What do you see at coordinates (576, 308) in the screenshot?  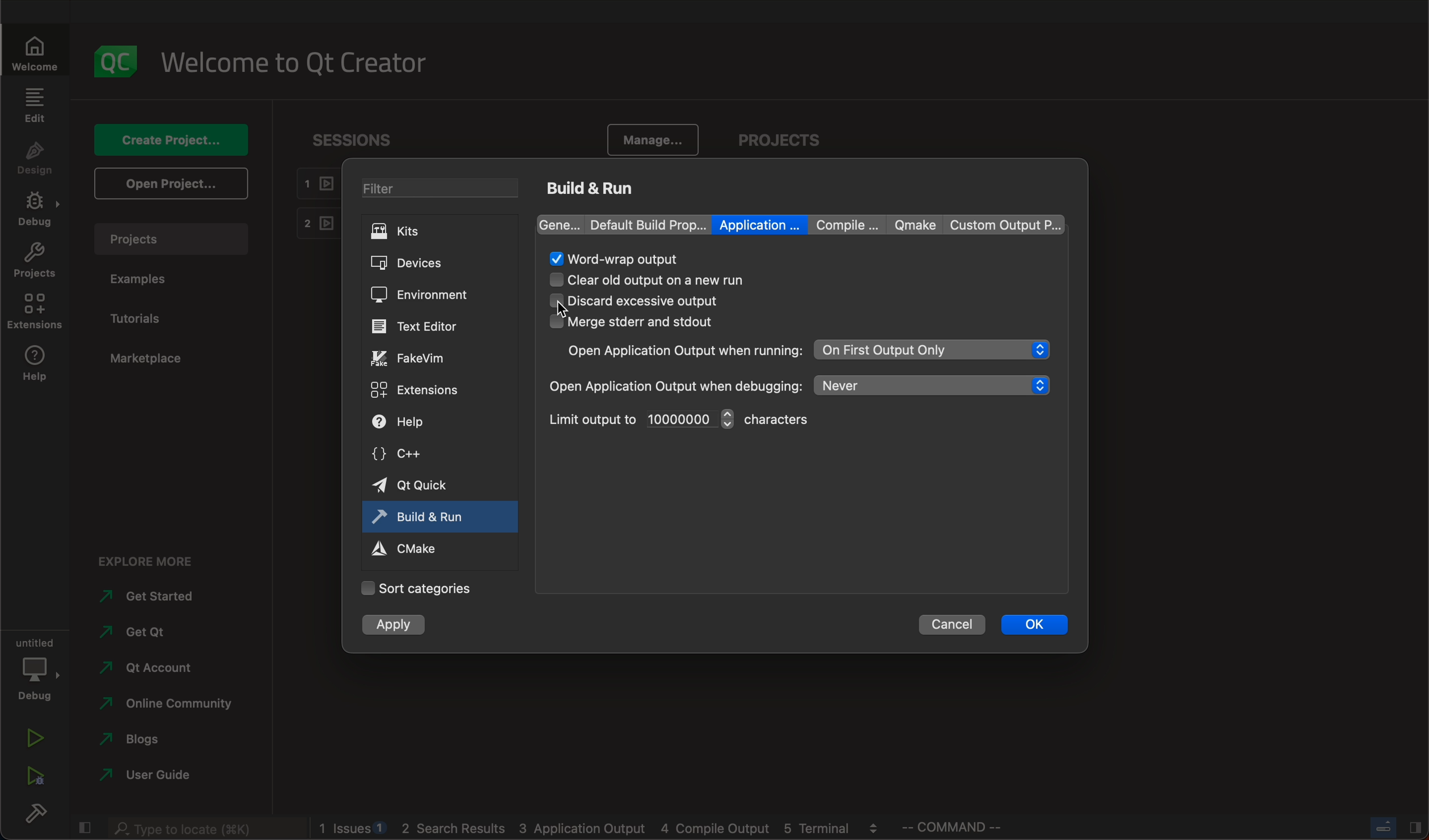 I see `cursor` at bounding box center [576, 308].